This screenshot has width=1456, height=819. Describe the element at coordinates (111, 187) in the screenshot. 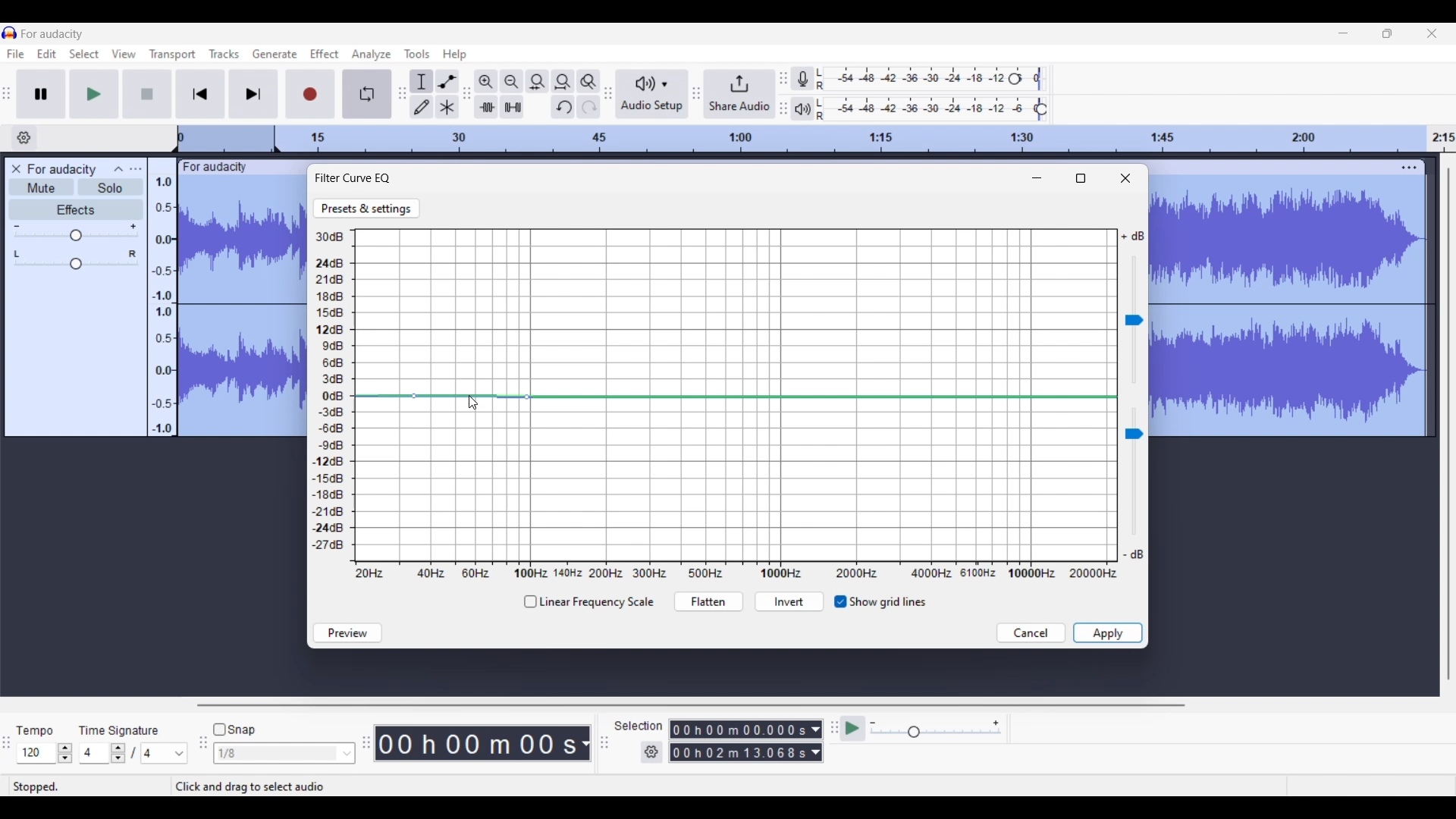

I see `Solo` at that location.